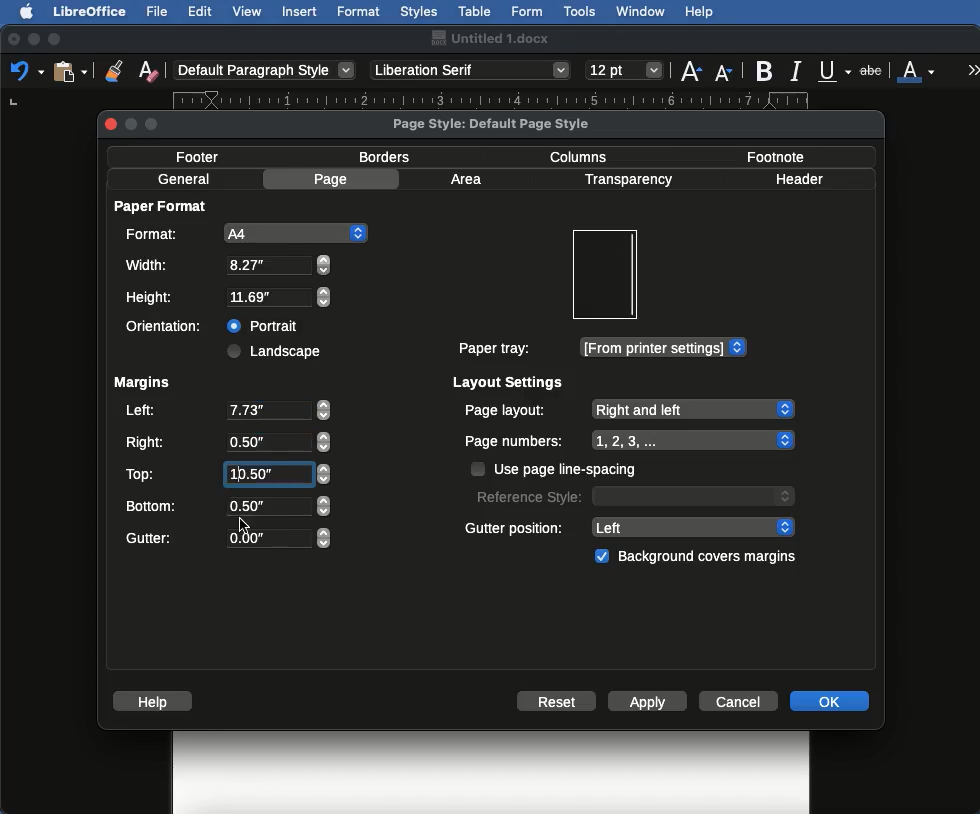 The image size is (980, 814). I want to click on Columns, so click(584, 155).